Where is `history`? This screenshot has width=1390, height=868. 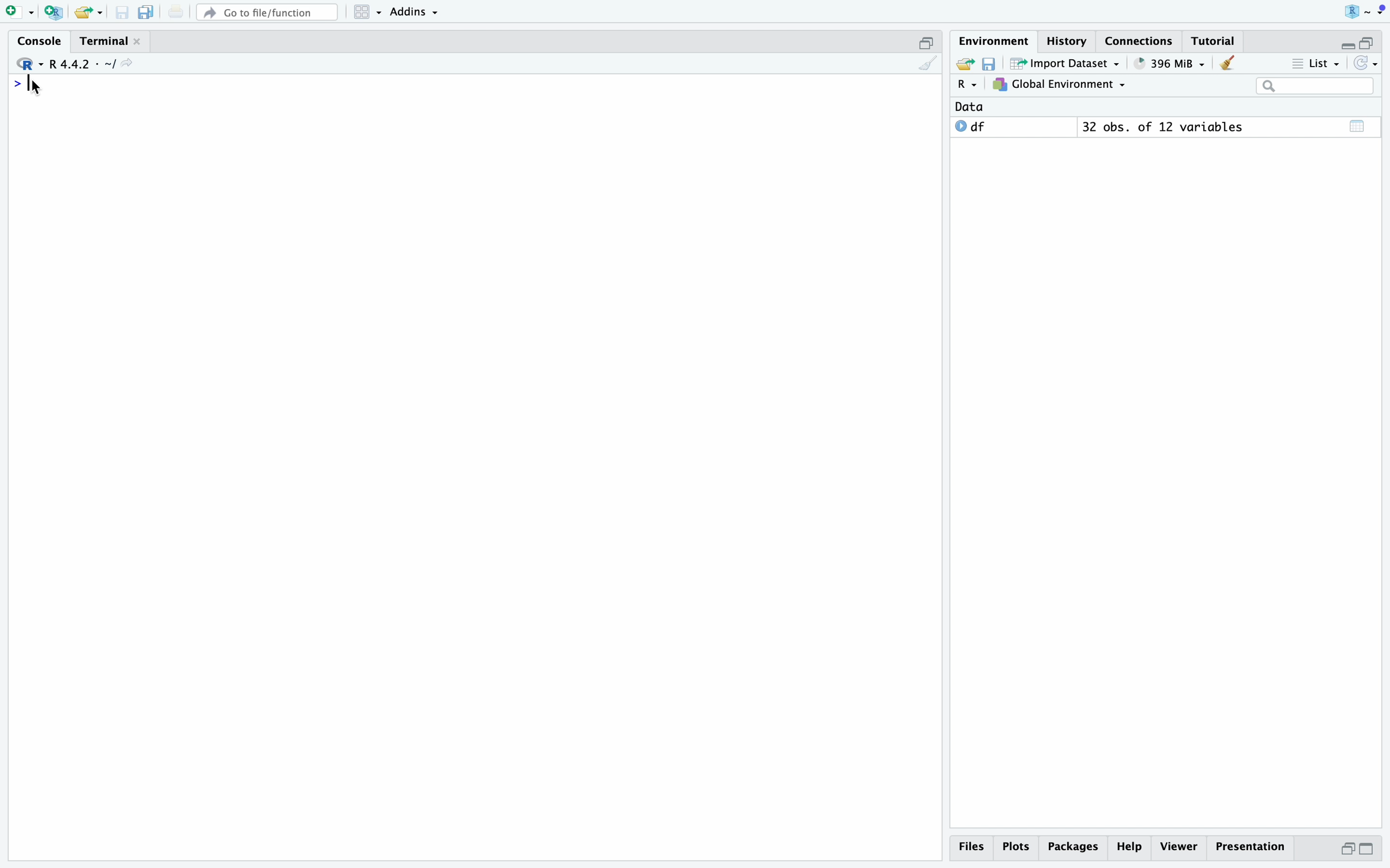 history is located at coordinates (1068, 41).